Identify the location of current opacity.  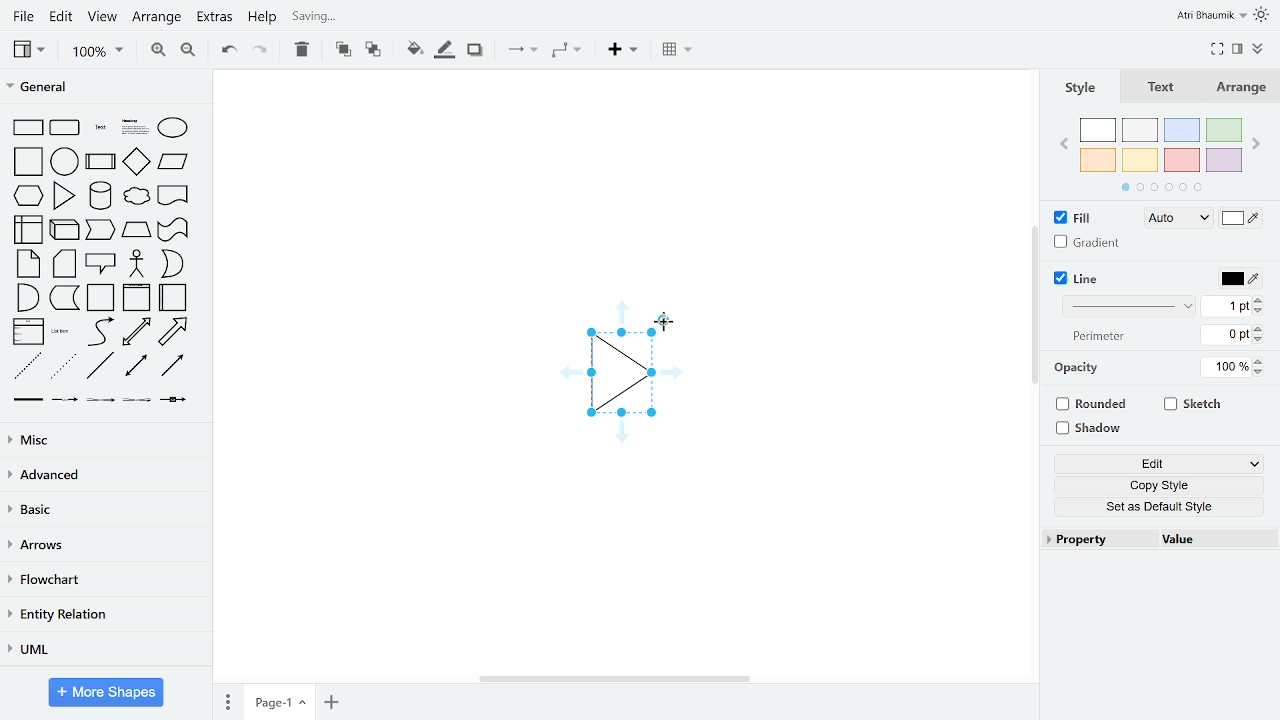
(1223, 368).